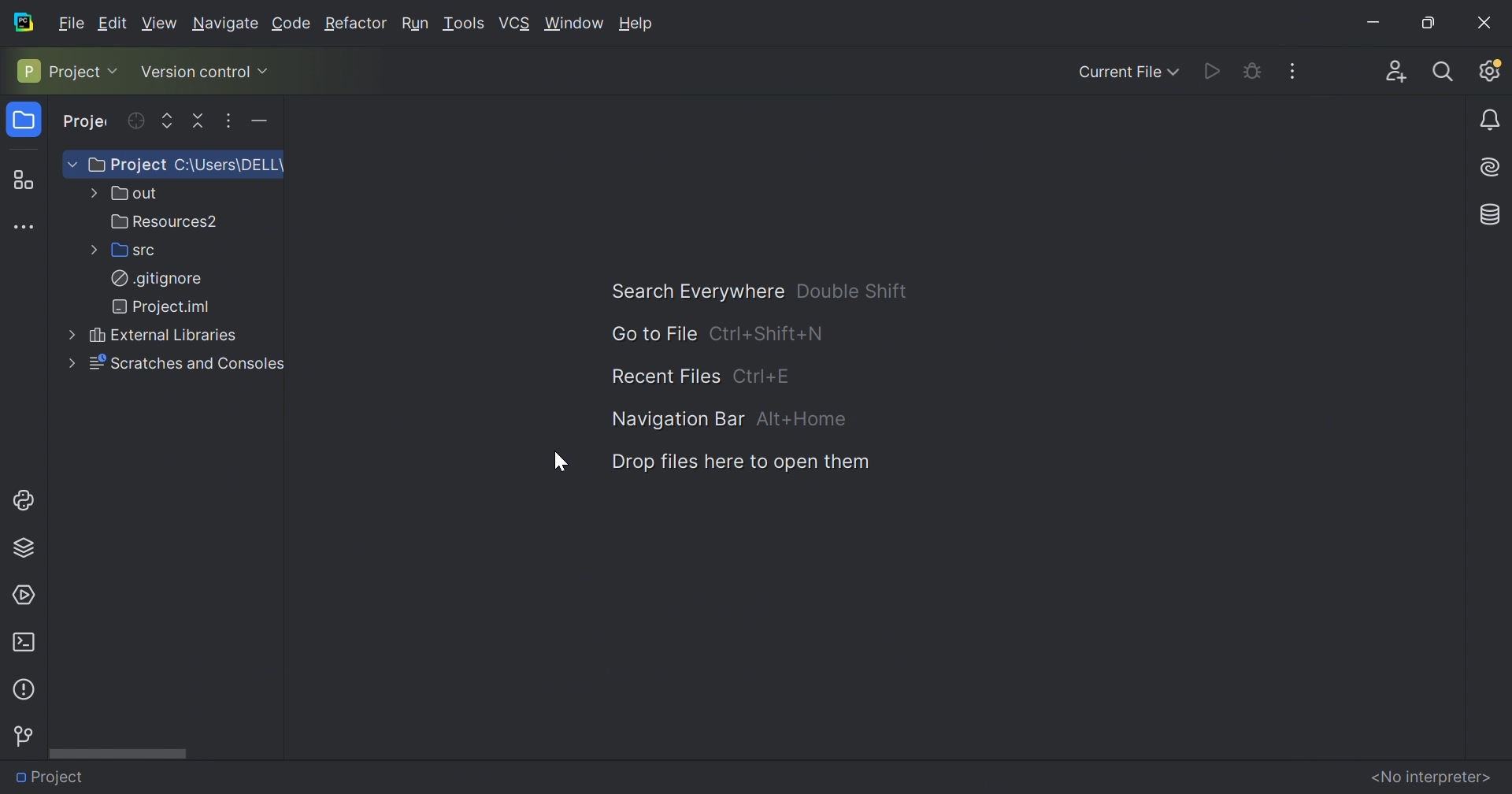  What do you see at coordinates (57, 70) in the screenshot?
I see `Project` at bounding box center [57, 70].